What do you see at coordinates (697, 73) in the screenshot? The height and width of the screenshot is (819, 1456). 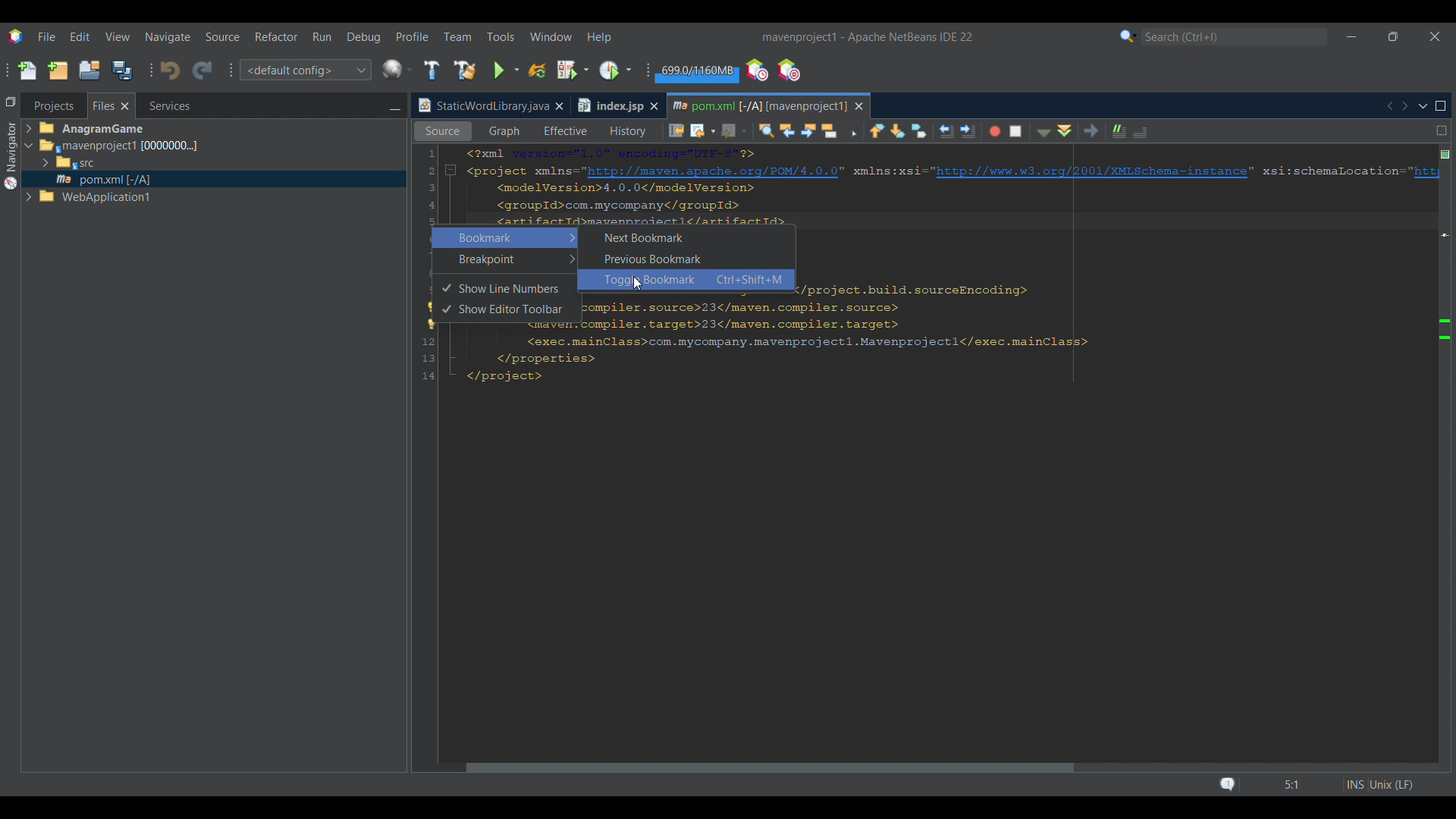 I see `Garbage collection amount changed` at bounding box center [697, 73].